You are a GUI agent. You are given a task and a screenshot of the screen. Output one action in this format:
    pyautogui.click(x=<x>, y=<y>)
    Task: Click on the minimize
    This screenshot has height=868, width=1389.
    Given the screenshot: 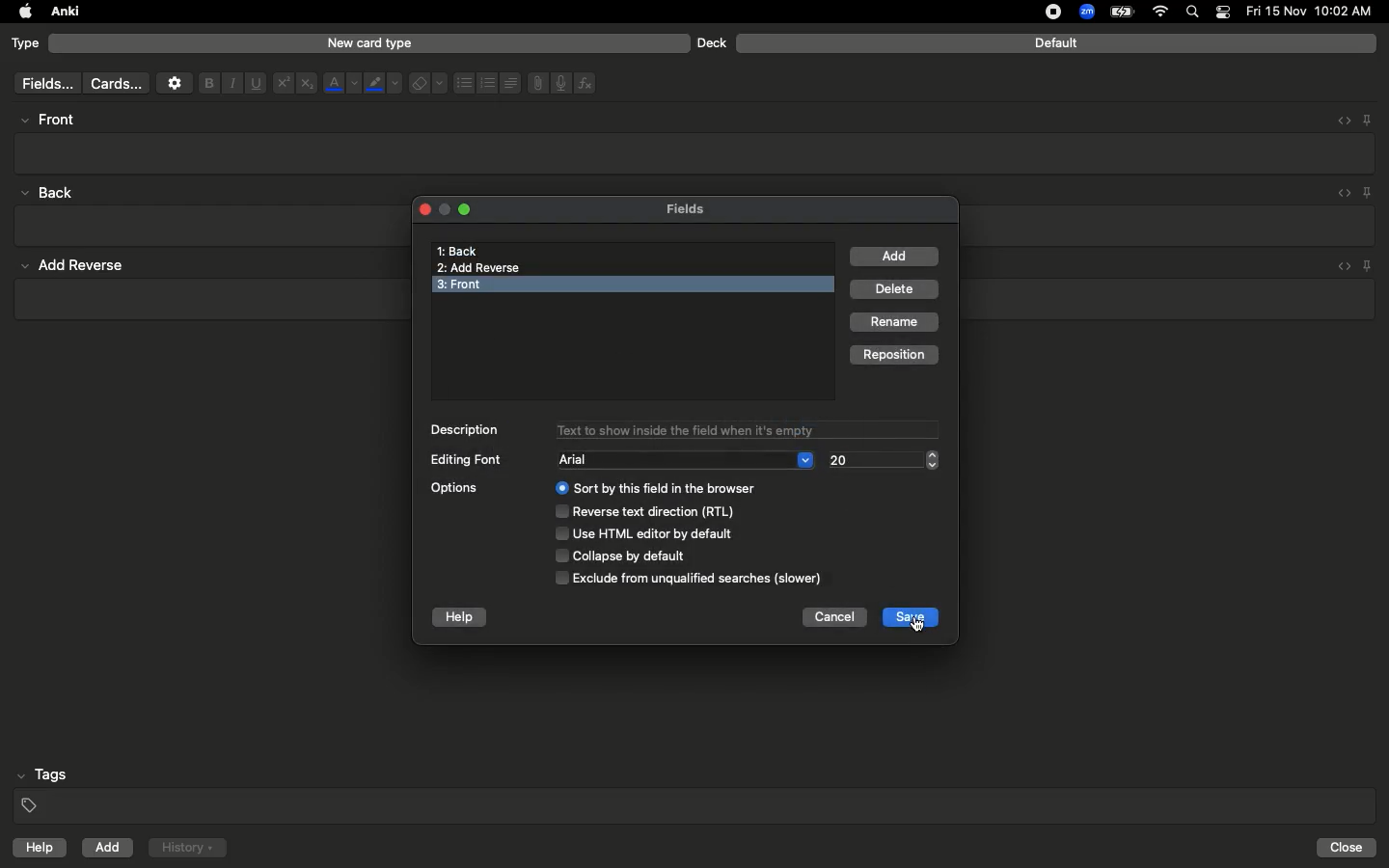 What is the action you would take?
    pyautogui.click(x=443, y=210)
    